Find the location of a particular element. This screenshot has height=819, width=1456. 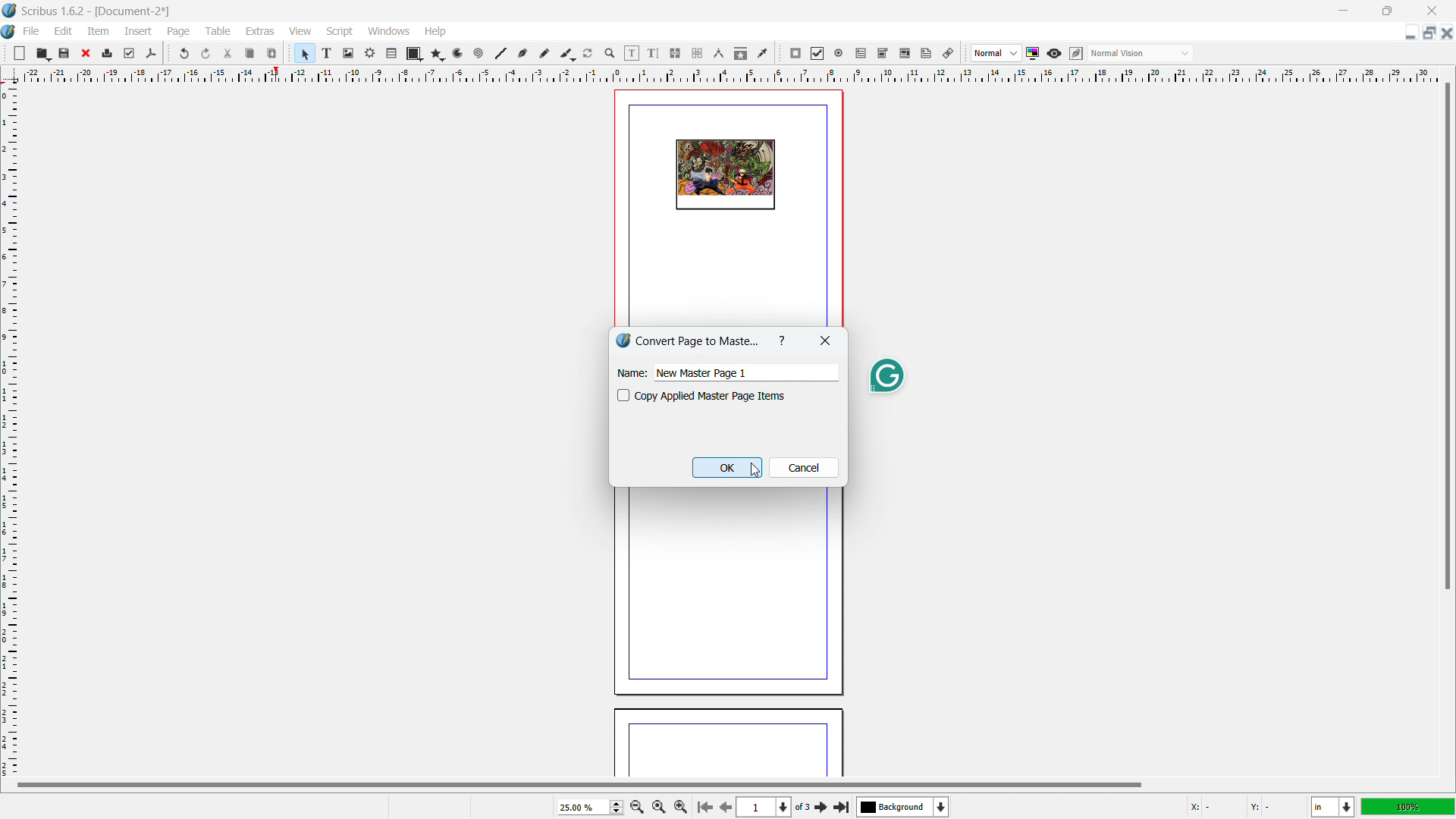

of 3 is located at coordinates (802, 808).